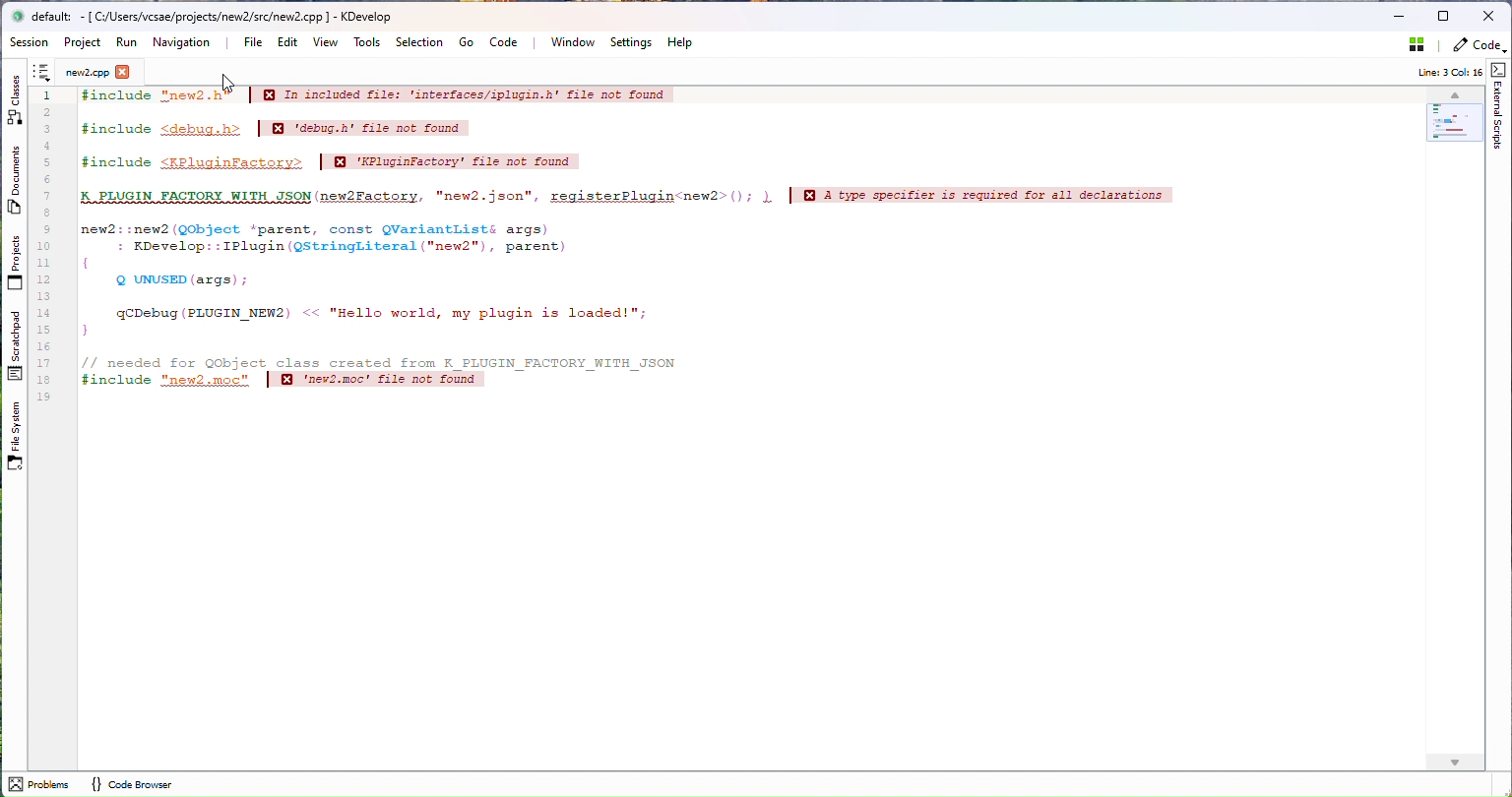  I want to click on Selection, so click(420, 43).